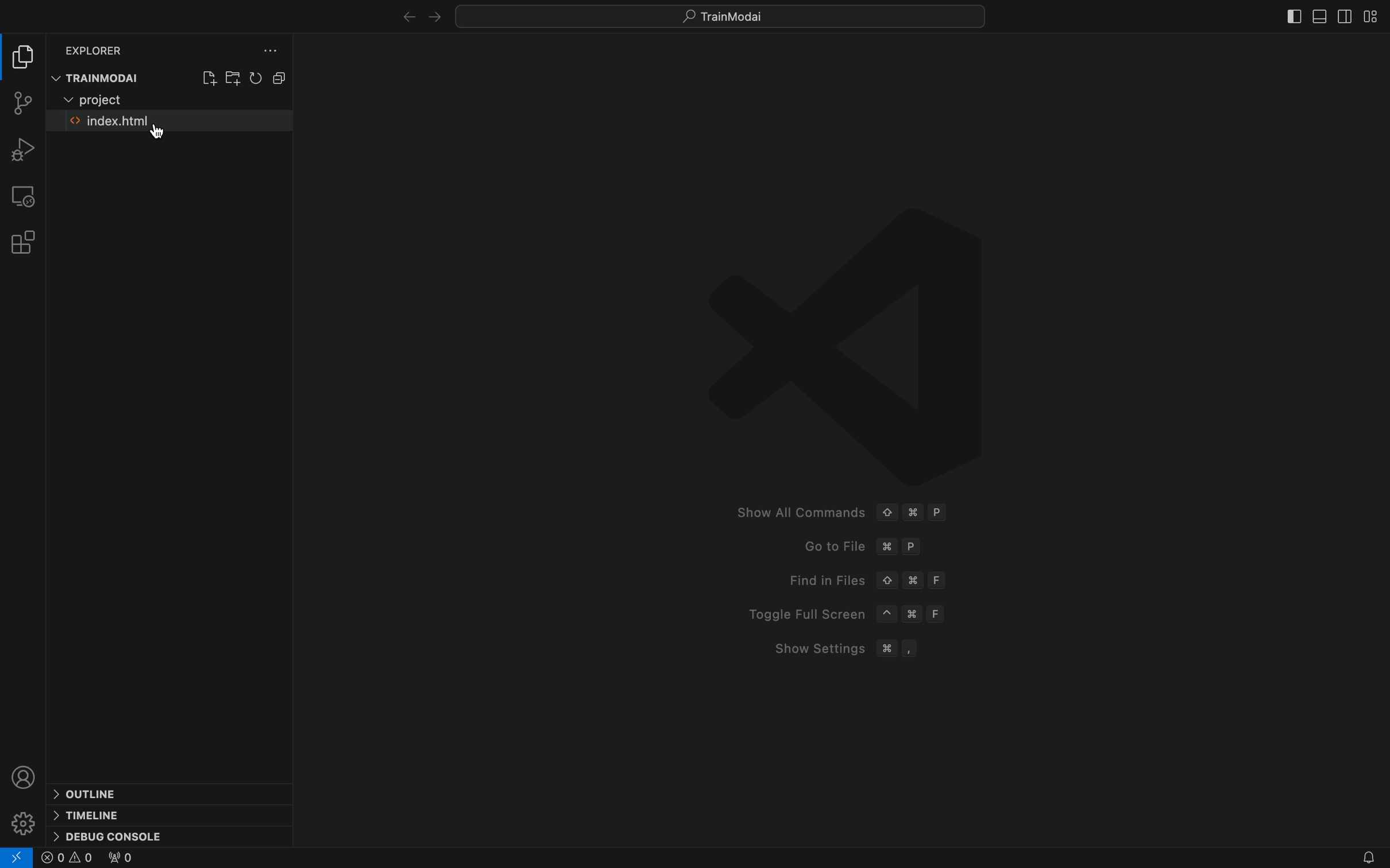  What do you see at coordinates (858, 514) in the screenshot?
I see `SHow All` at bounding box center [858, 514].